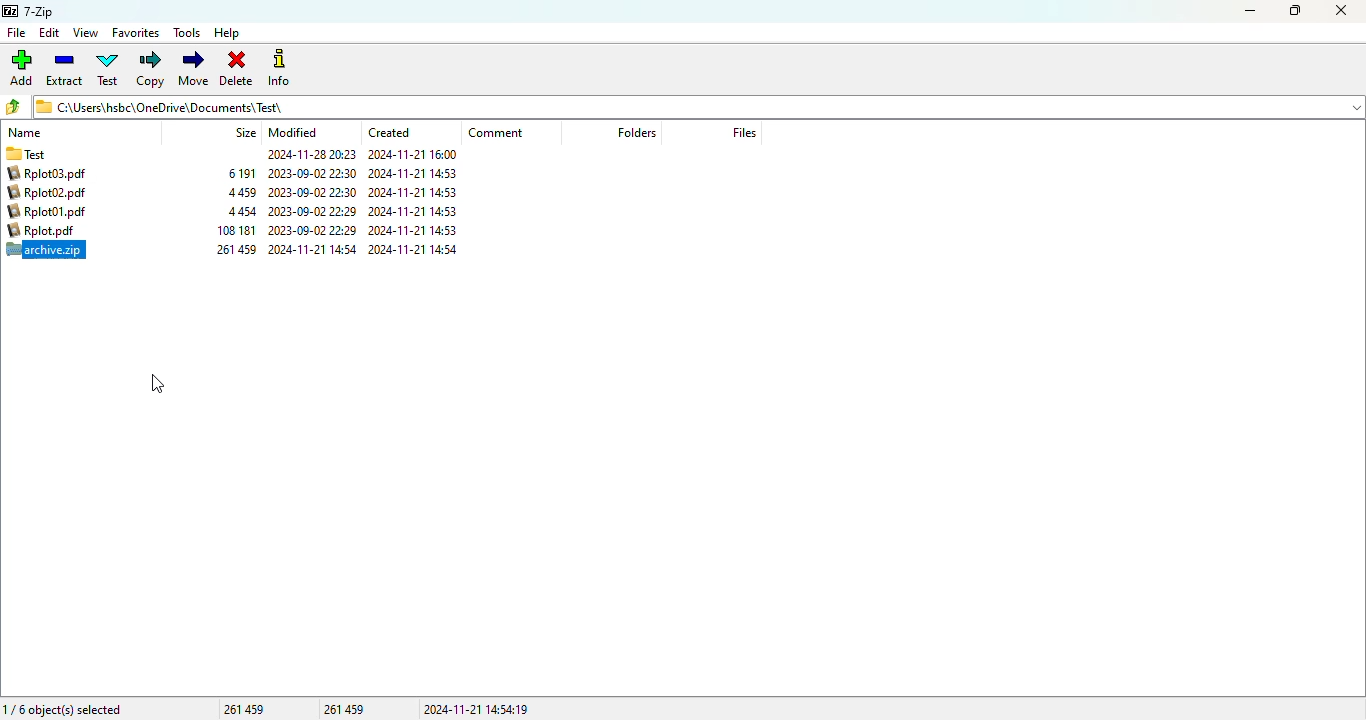 The width and height of the screenshot is (1366, 720). I want to click on 261 459, so click(346, 708).